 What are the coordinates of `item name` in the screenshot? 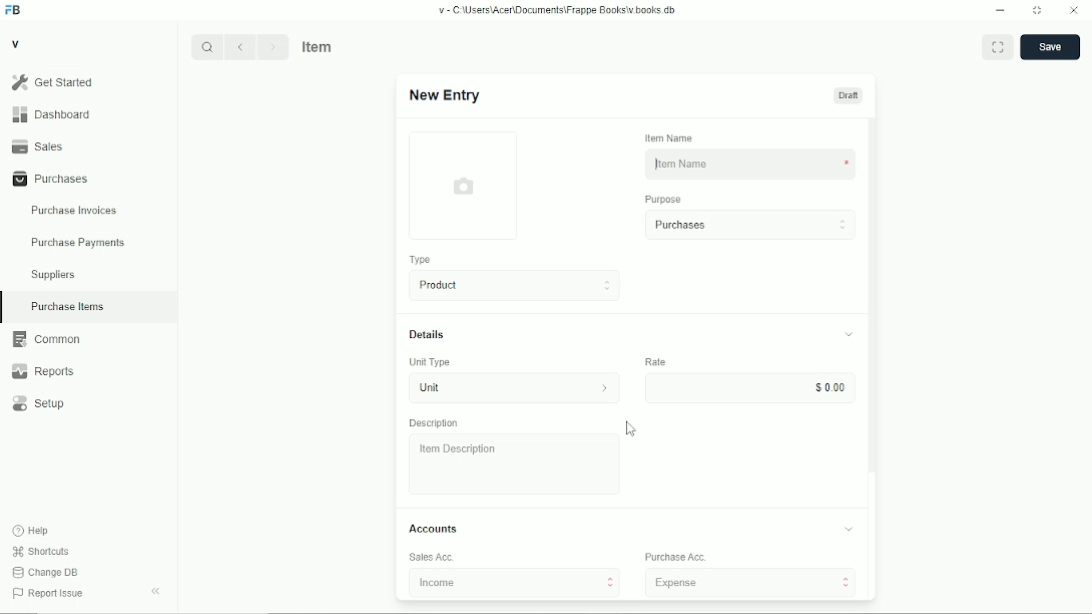 It's located at (734, 164).